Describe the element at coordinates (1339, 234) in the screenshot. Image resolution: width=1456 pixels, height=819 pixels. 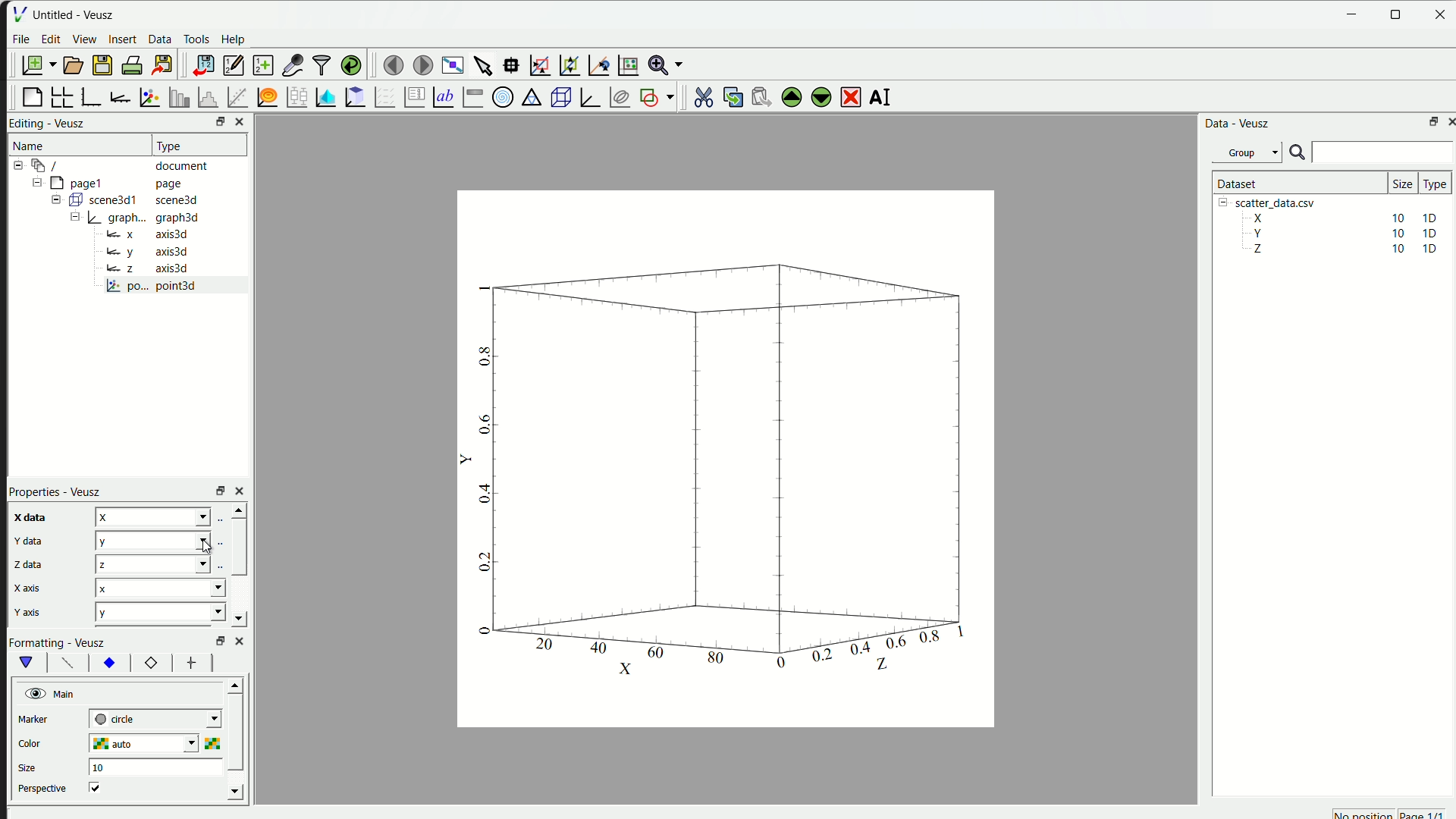
I see `Y 10 10` at that location.